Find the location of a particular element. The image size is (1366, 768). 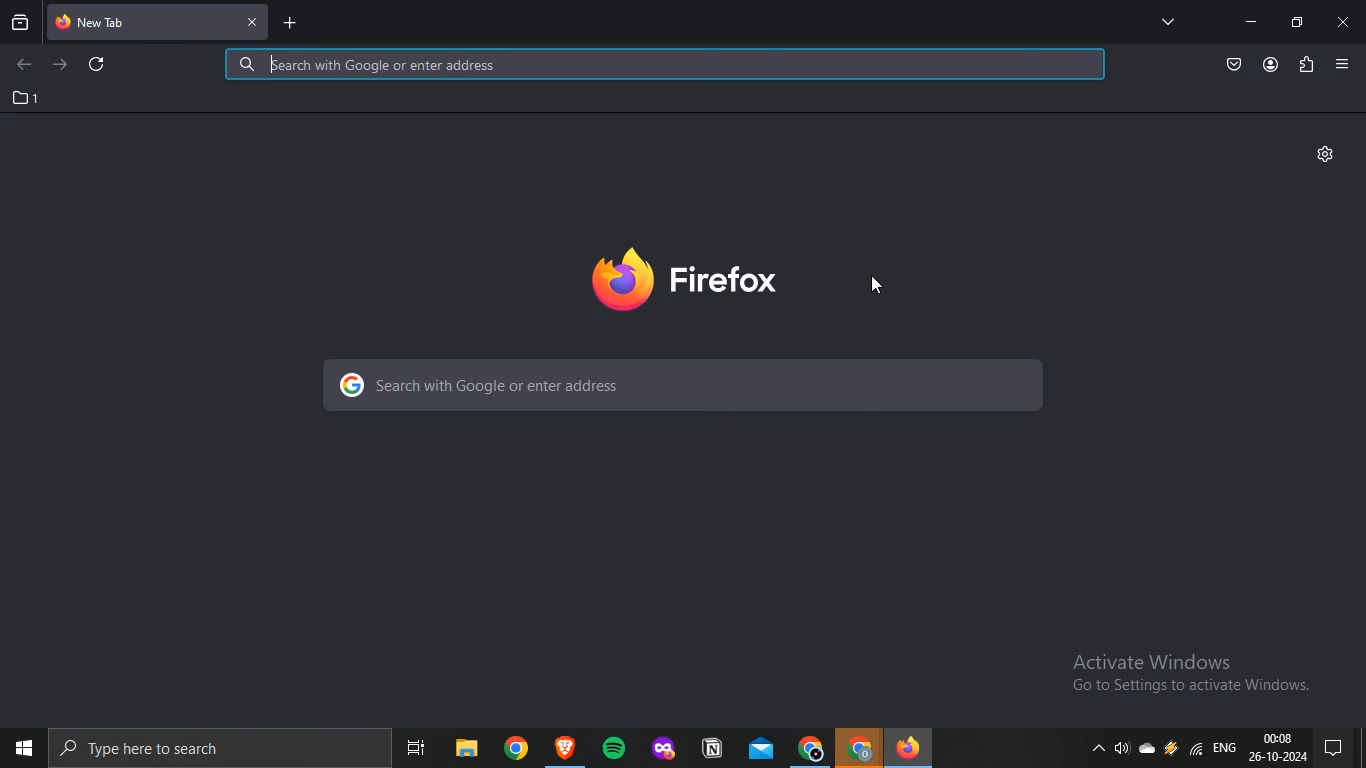

app icon is located at coordinates (565, 744).